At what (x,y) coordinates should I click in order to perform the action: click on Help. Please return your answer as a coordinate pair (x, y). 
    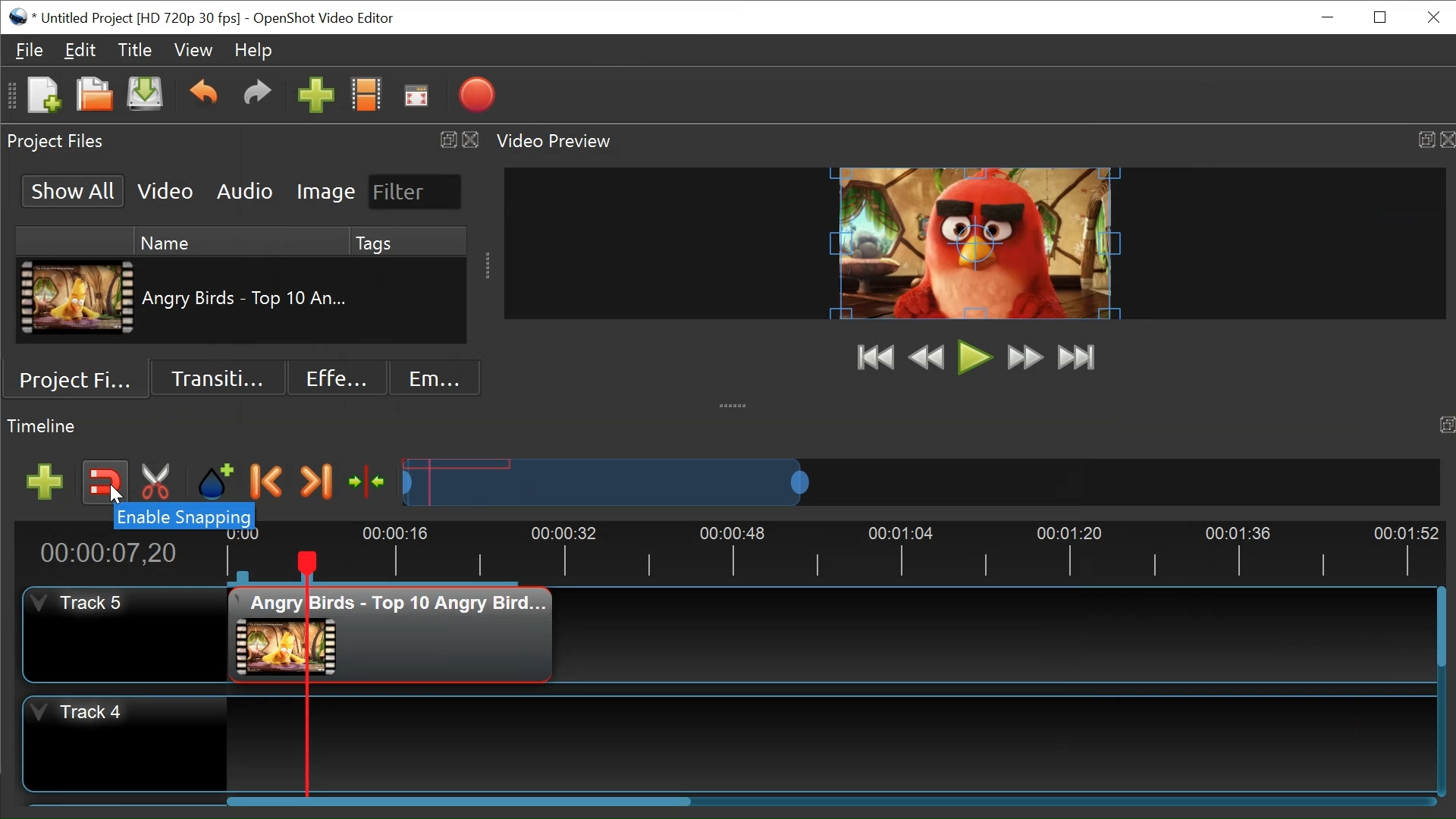
    Looking at the image, I should click on (257, 51).